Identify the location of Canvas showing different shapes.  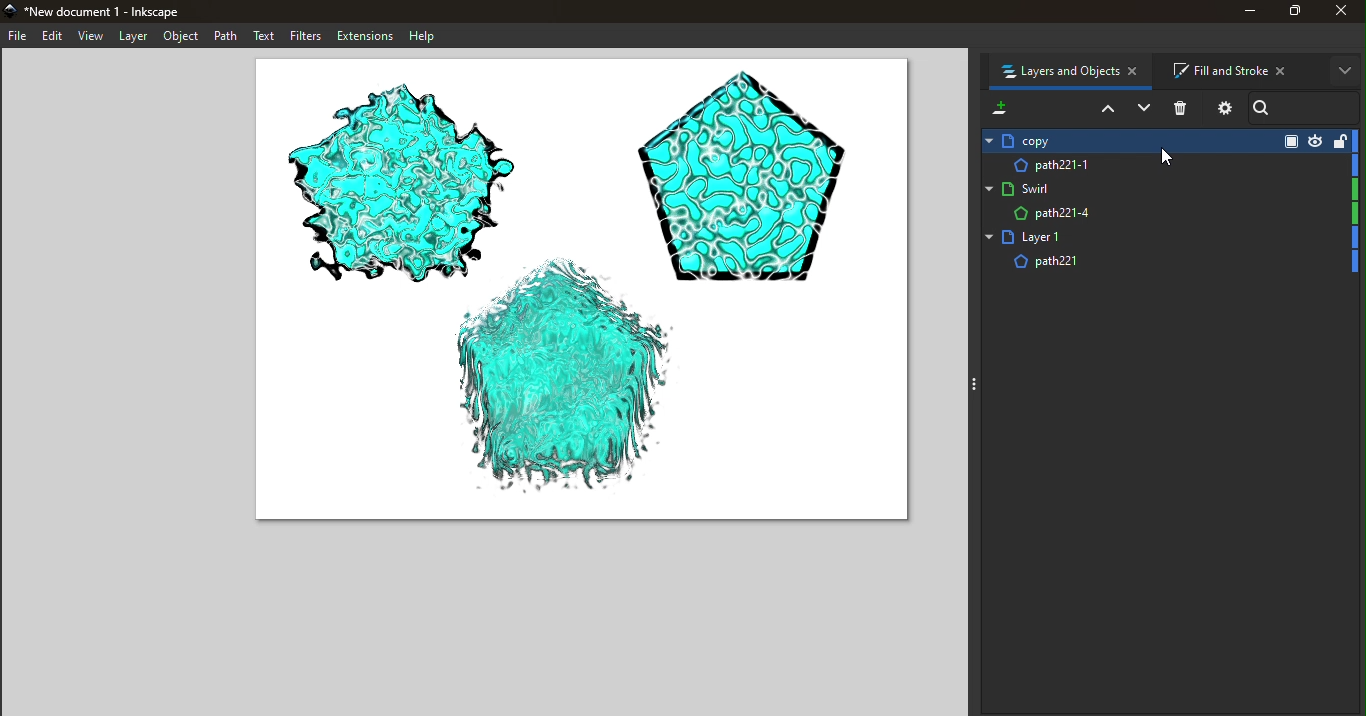
(579, 297).